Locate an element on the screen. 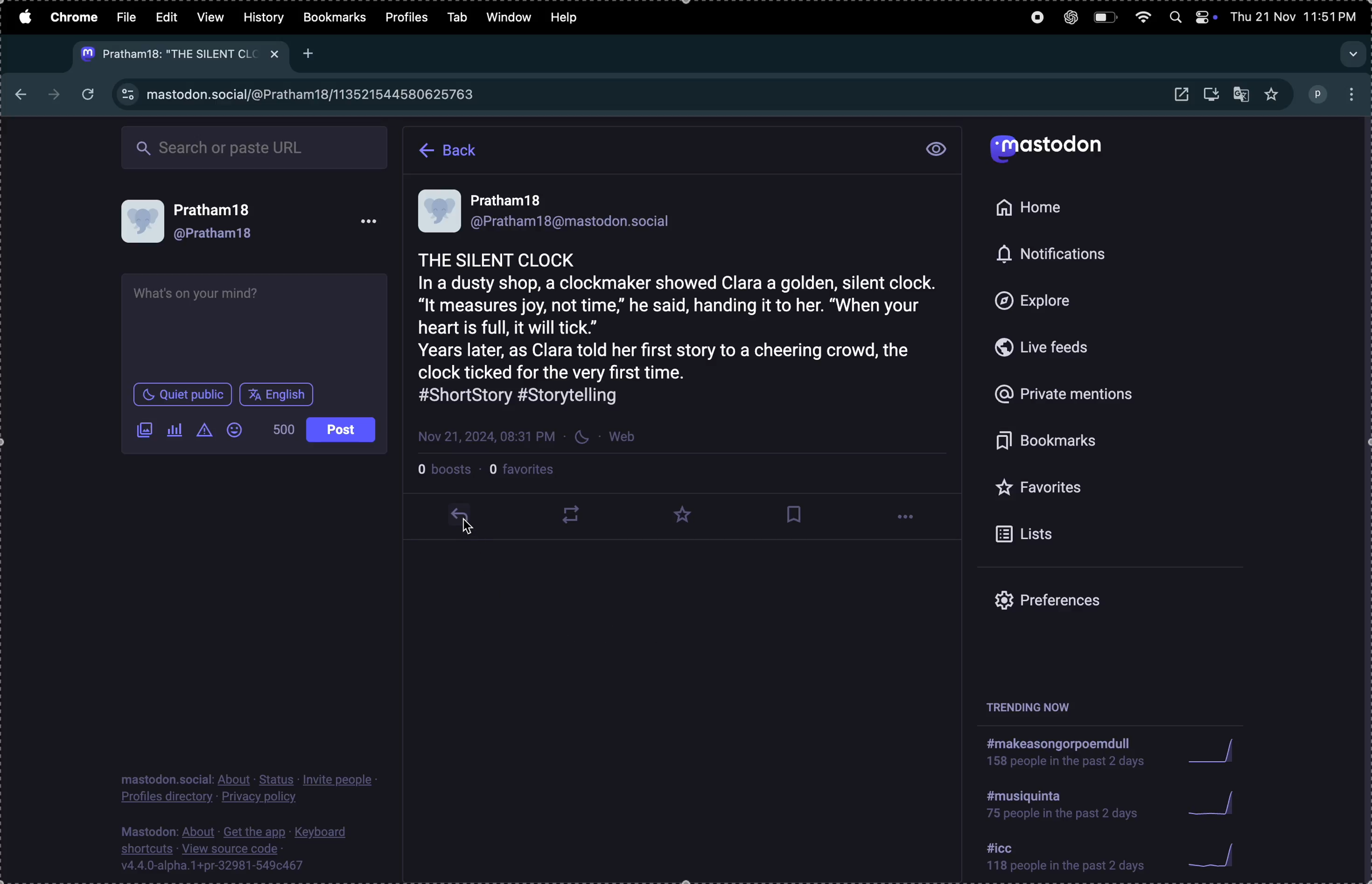 This screenshot has width=1372, height=884. private mentions is located at coordinates (1080, 397).